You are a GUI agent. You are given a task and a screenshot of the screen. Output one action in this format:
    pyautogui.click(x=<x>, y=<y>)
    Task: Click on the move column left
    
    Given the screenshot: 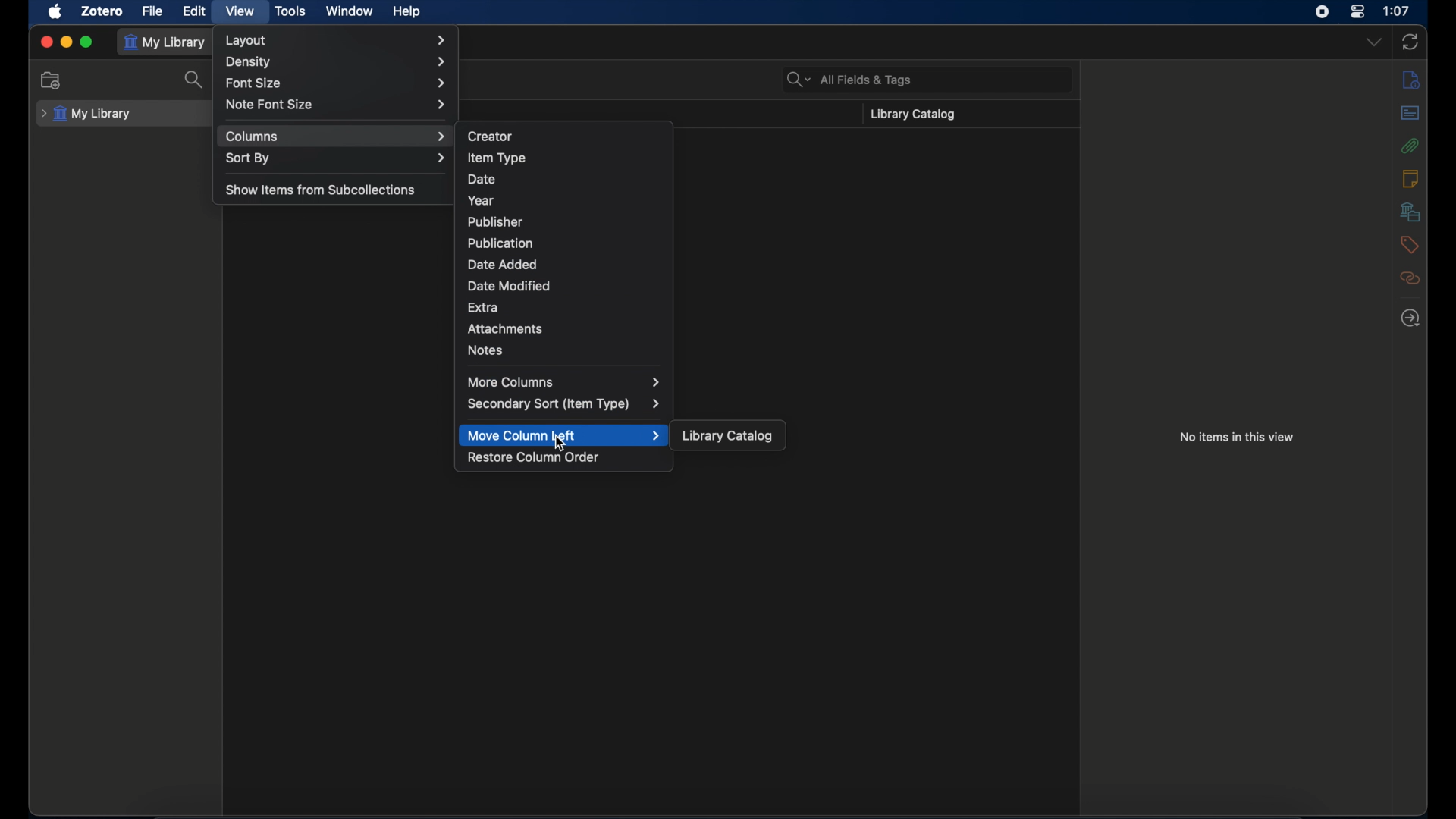 What is the action you would take?
    pyautogui.click(x=564, y=435)
    